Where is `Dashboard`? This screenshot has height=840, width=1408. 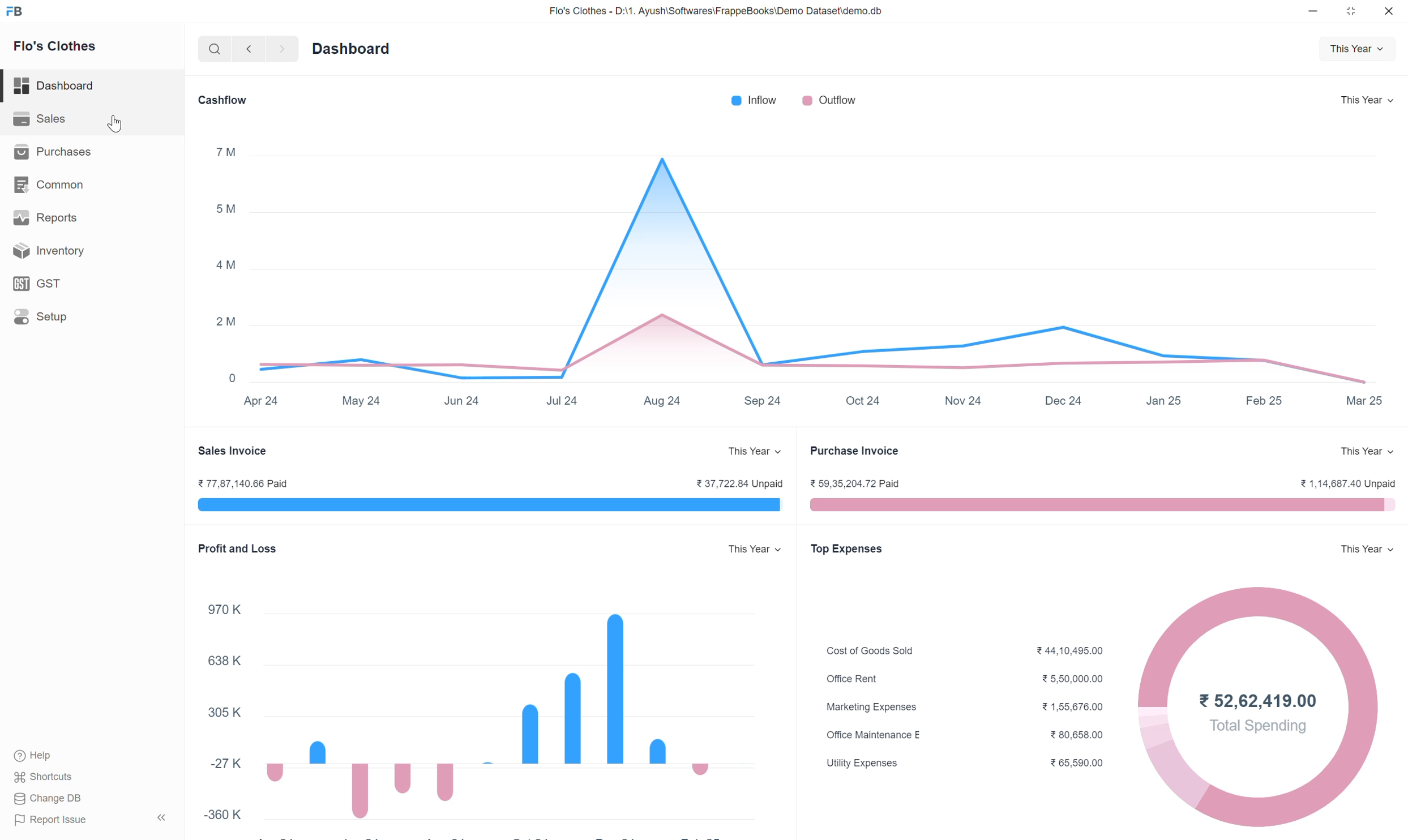 Dashboard is located at coordinates (352, 48).